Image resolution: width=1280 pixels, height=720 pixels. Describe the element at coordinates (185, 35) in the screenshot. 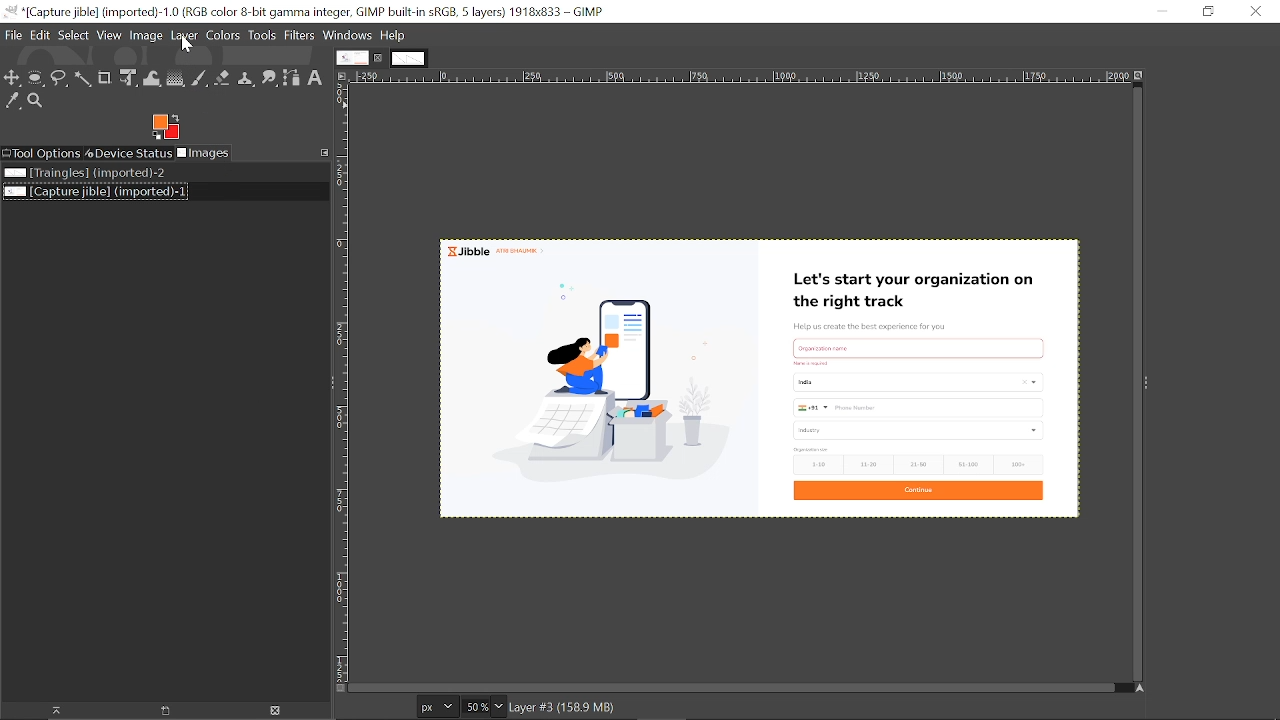

I see `Layer` at that location.